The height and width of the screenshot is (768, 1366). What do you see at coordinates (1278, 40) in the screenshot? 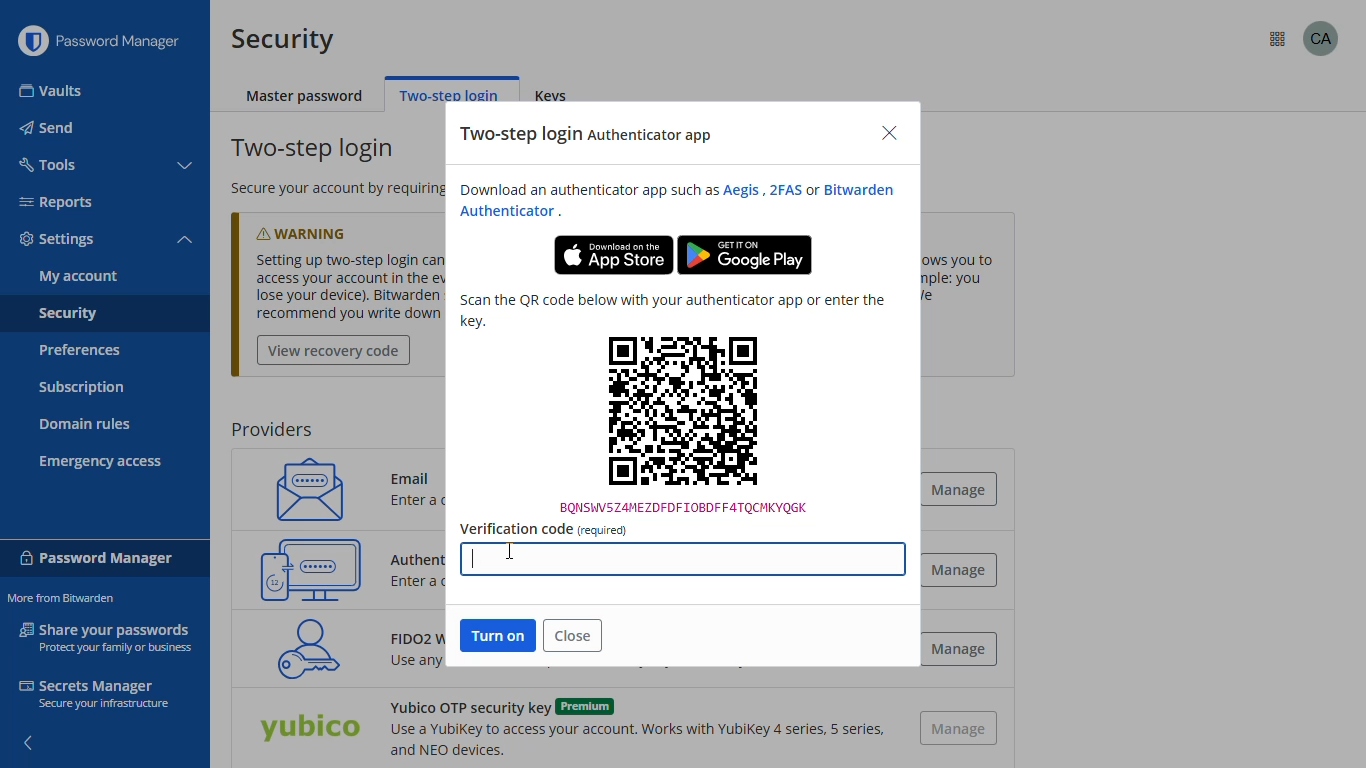
I see `more from bitwarden` at bounding box center [1278, 40].